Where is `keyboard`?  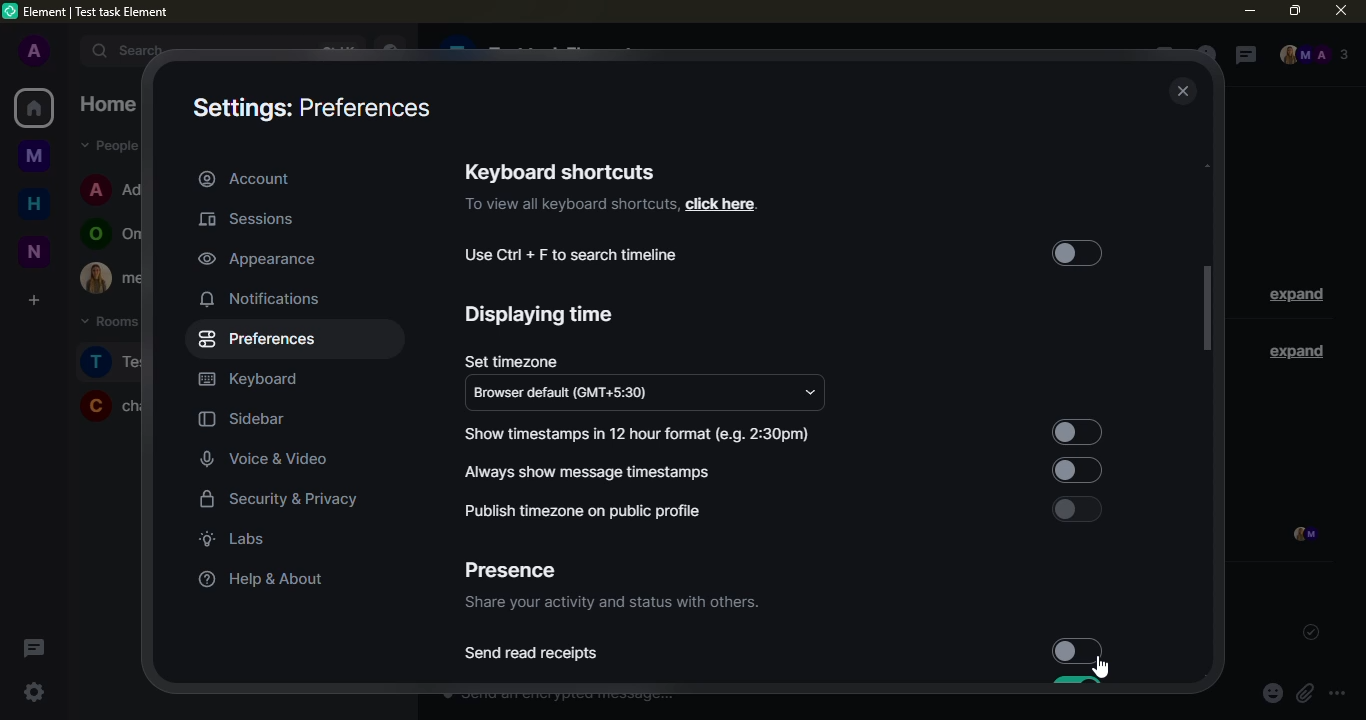 keyboard is located at coordinates (250, 380).